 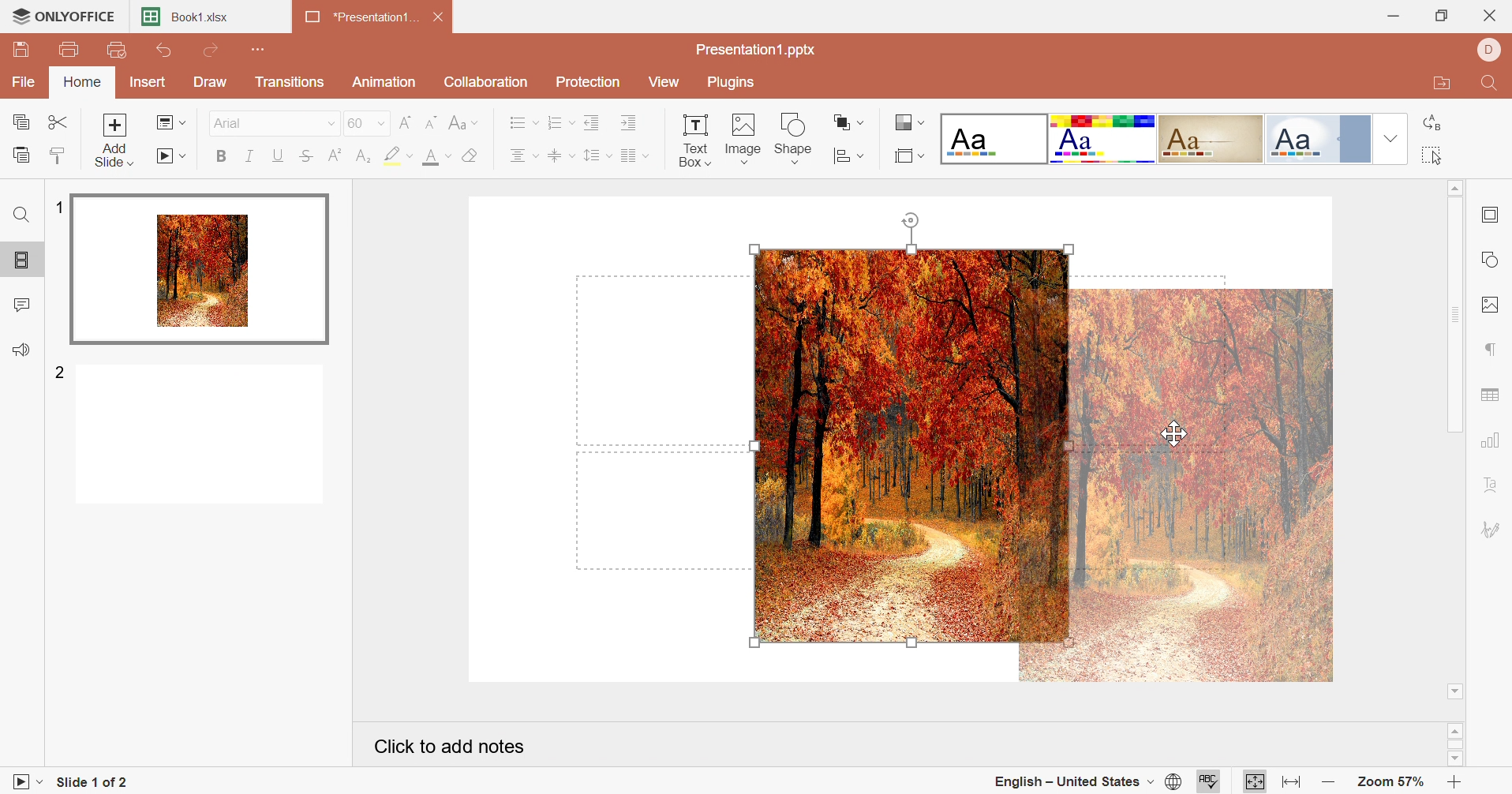 I want to click on Increment font size, so click(x=405, y=123).